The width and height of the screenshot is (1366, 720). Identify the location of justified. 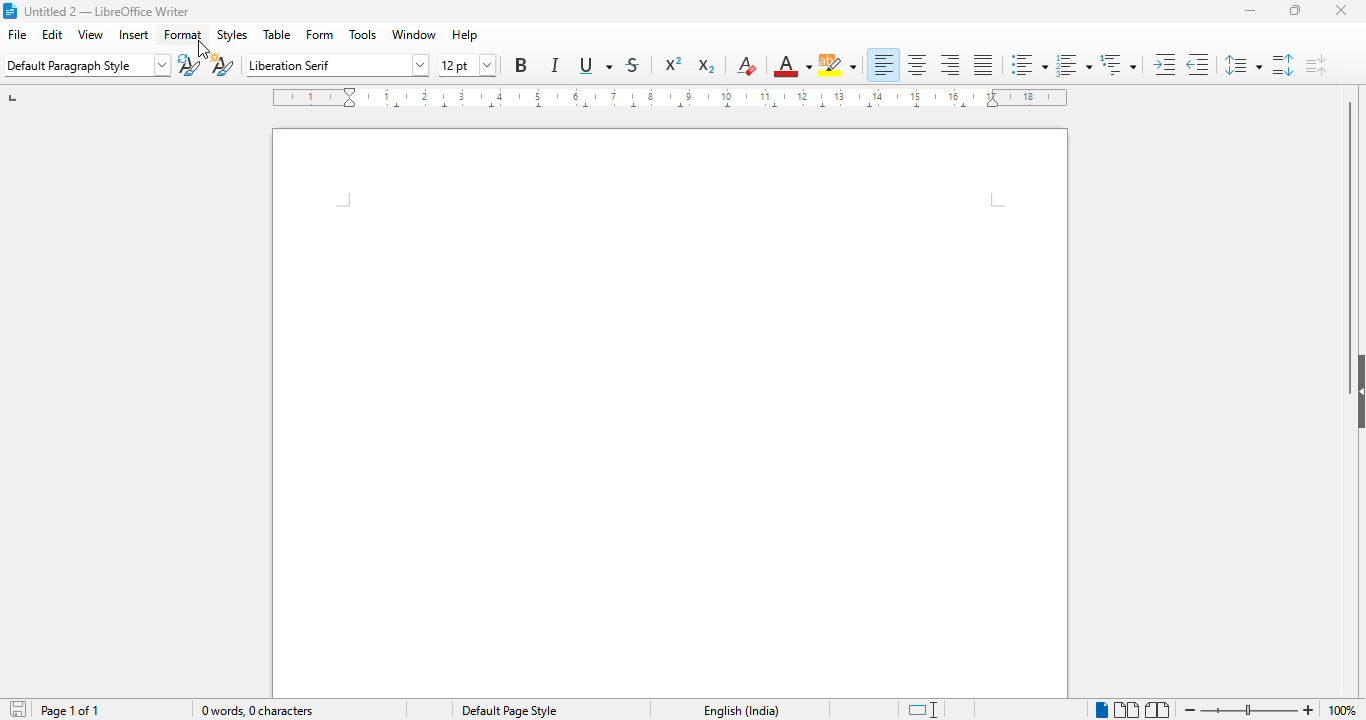
(985, 65).